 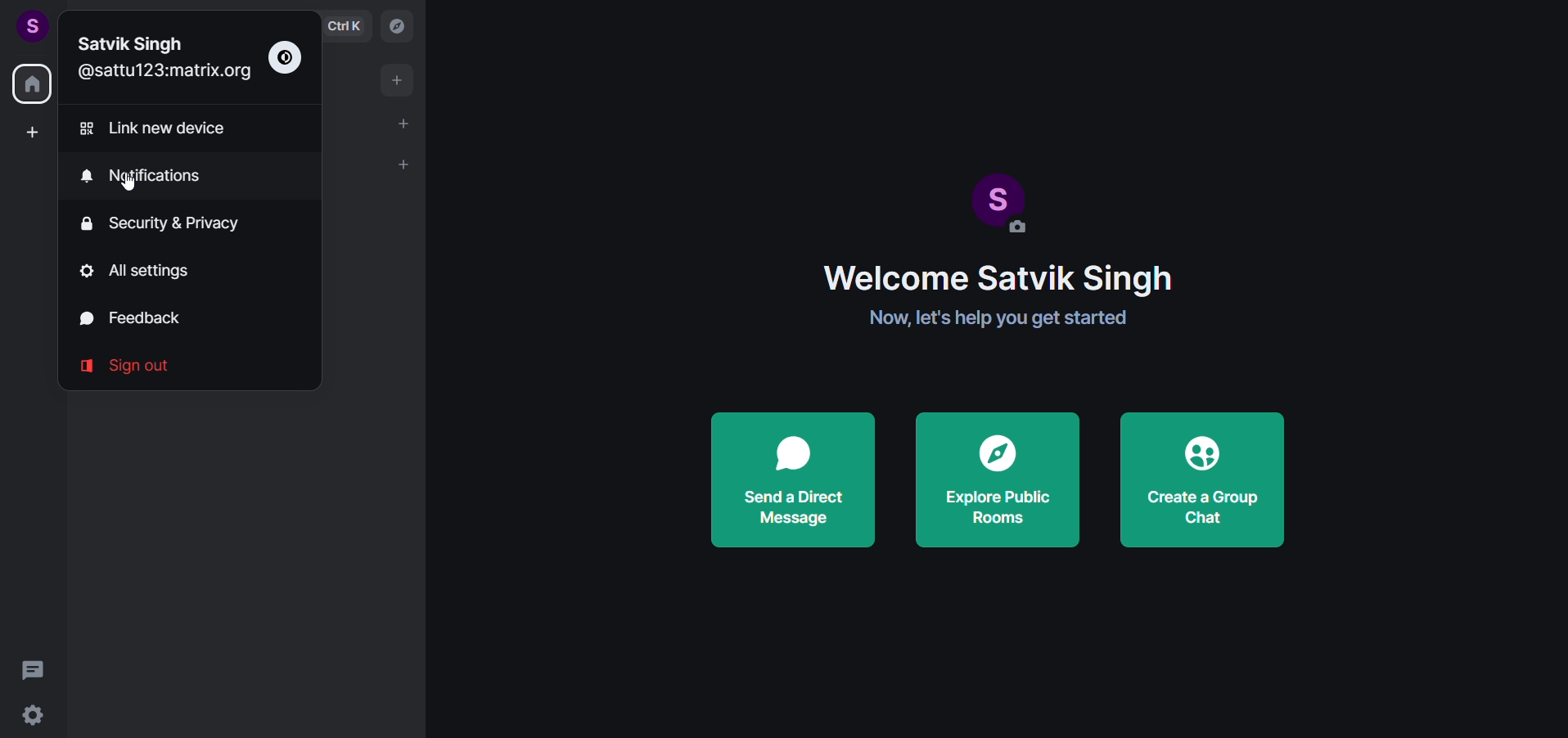 What do you see at coordinates (289, 59) in the screenshot?
I see `theme` at bounding box center [289, 59].